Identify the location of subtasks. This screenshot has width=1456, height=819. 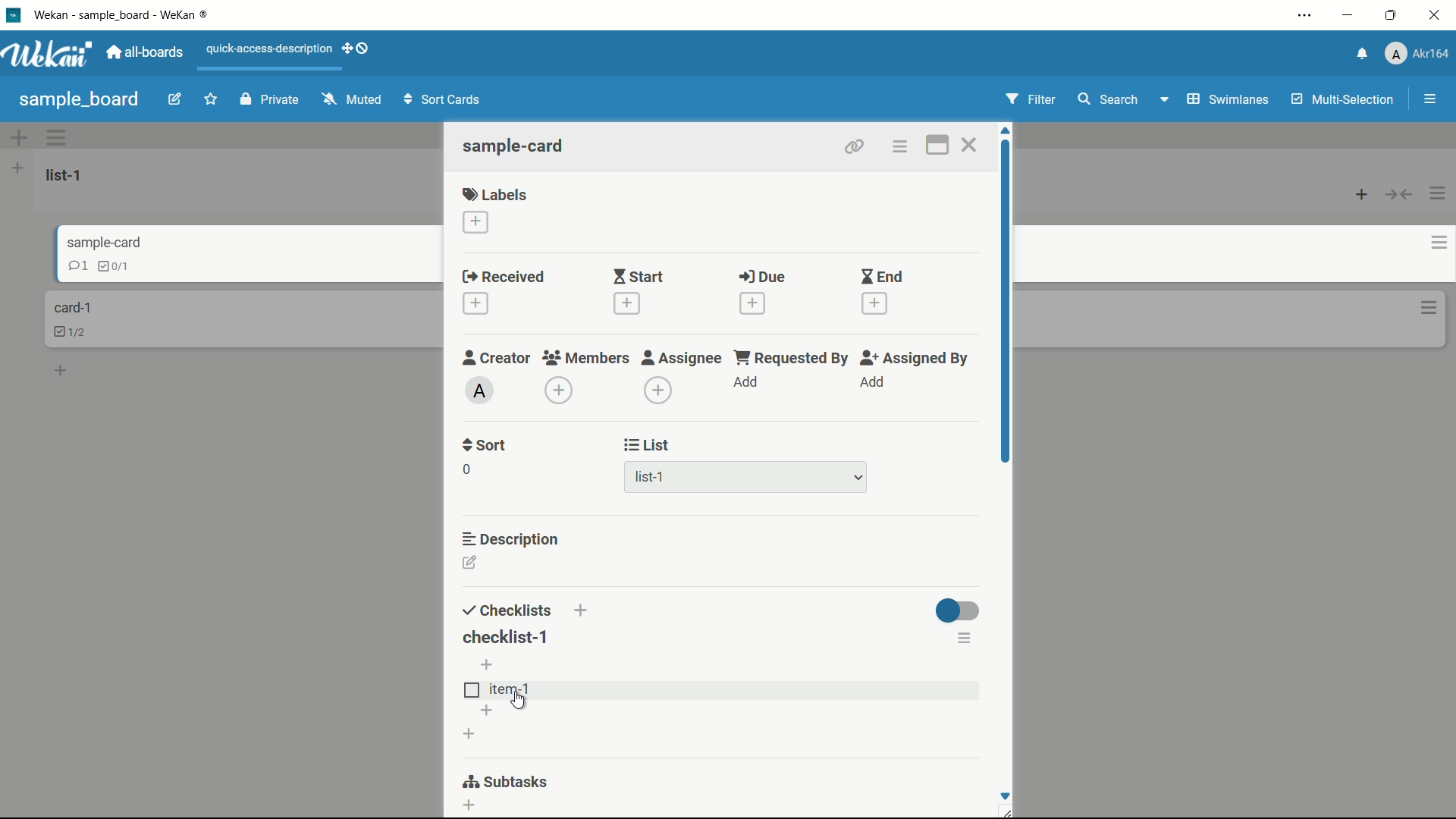
(508, 782).